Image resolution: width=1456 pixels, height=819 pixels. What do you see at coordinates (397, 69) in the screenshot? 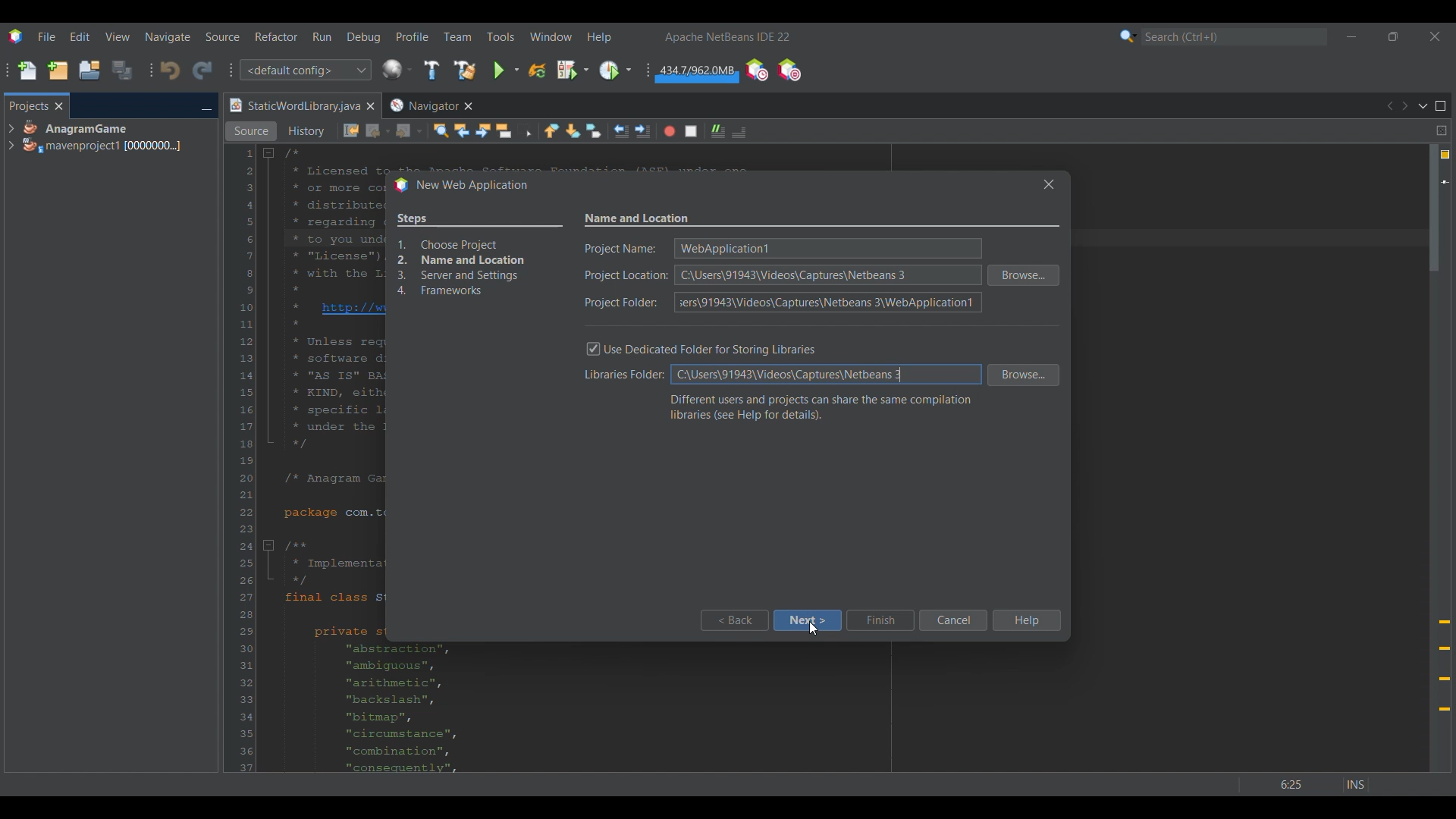
I see `Configure window` at bounding box center [397, 69].